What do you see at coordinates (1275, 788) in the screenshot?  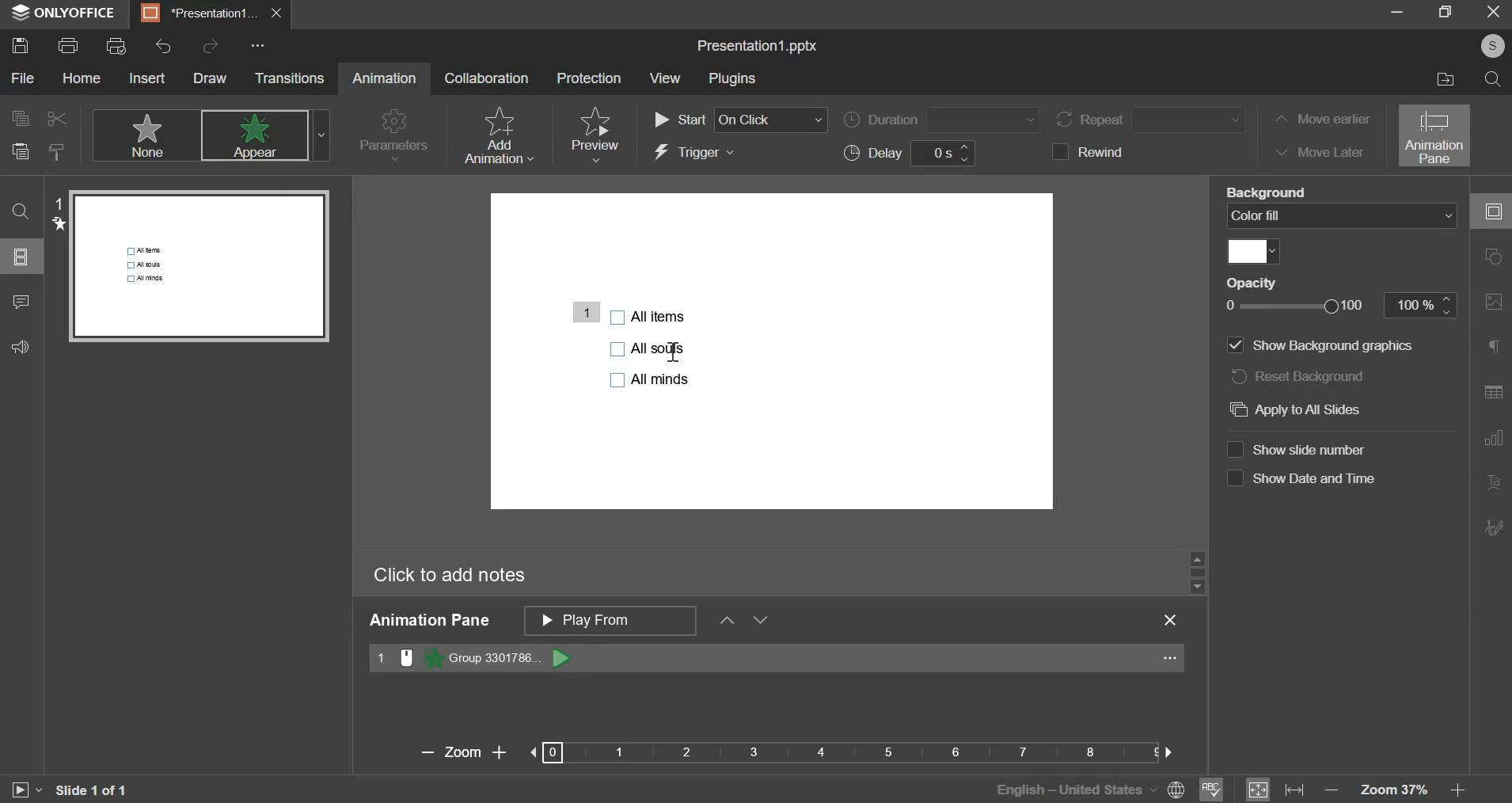 I see `fit` at bounding box center [1275, 788].